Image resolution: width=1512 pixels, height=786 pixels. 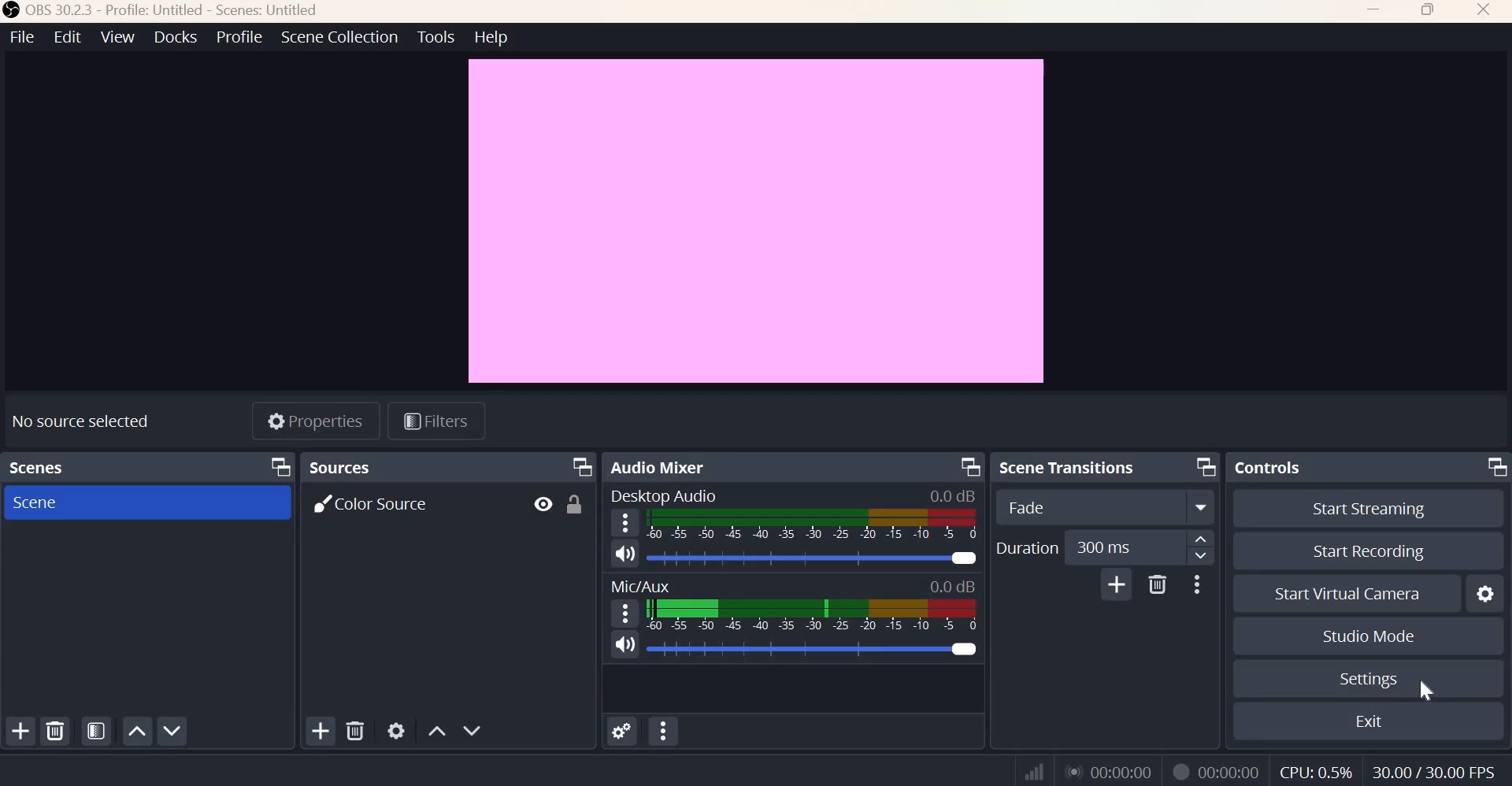 What do you see at coordinates (626, 613) in the screenshot?
I see `hamburger menu` at bounding box center [626, 613].